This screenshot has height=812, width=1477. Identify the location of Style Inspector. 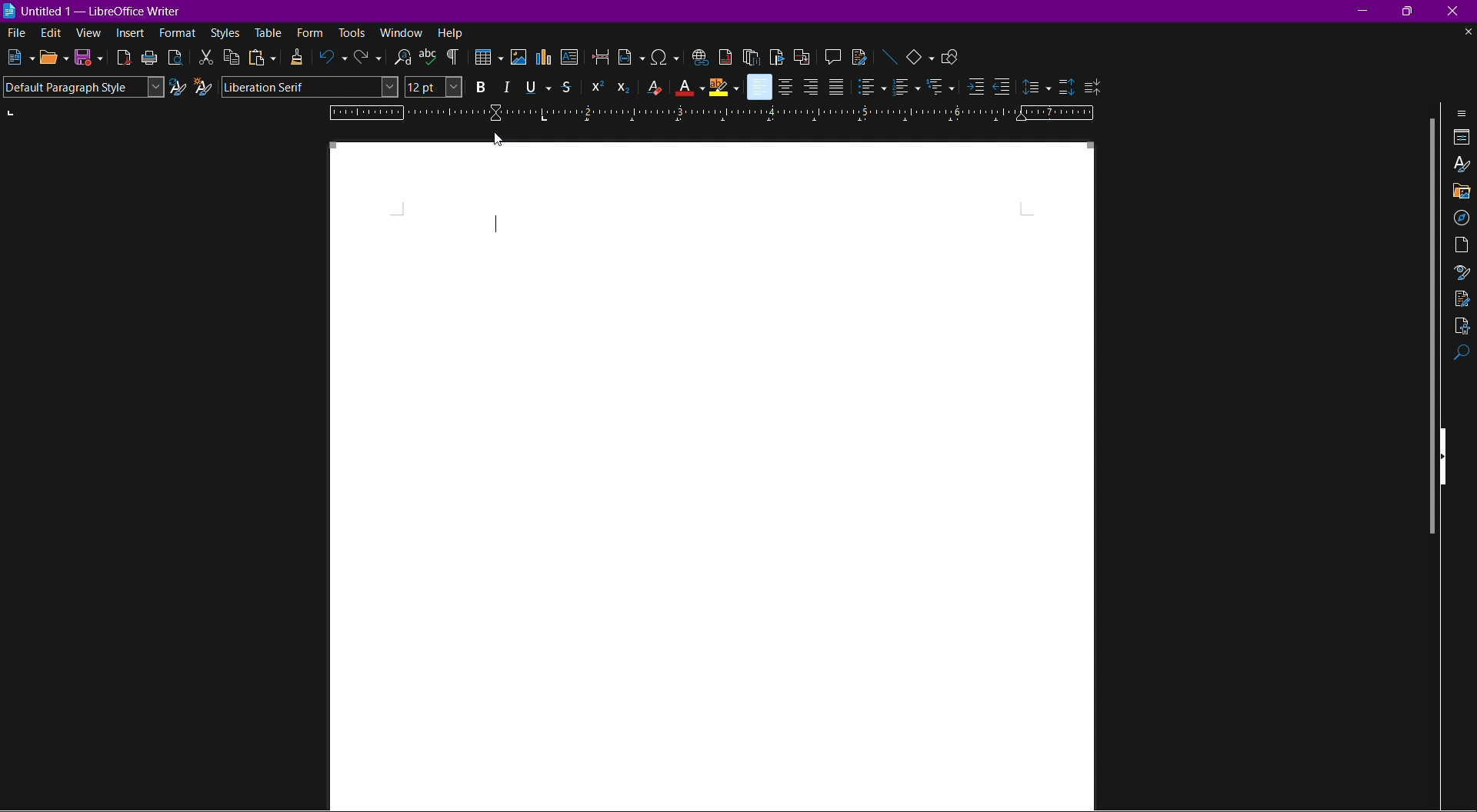
(1460, 273).